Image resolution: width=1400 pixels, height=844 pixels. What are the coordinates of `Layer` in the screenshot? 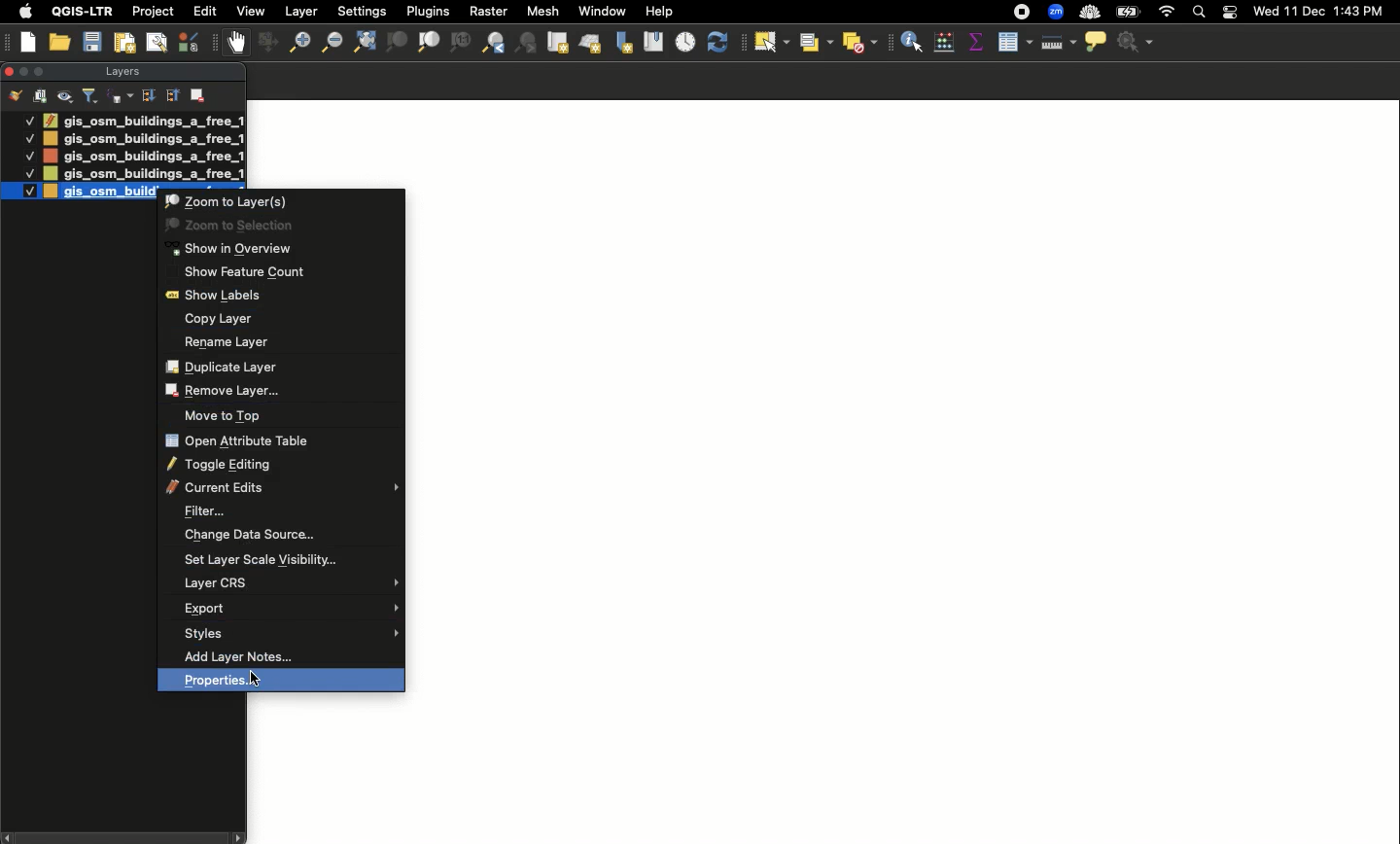 It's located at (302, 12).